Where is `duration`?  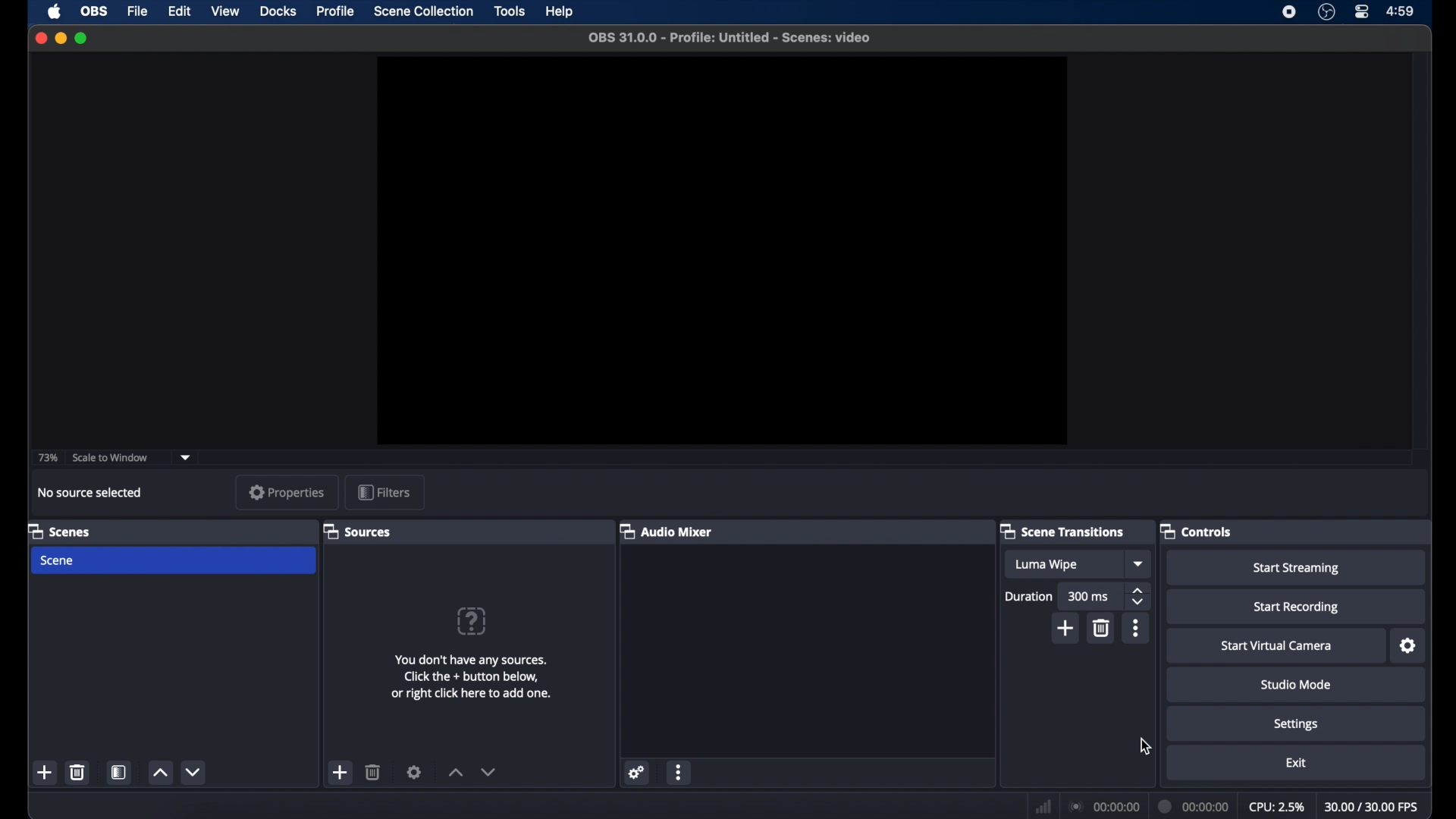
duration is located at coordinates (1028, 596).